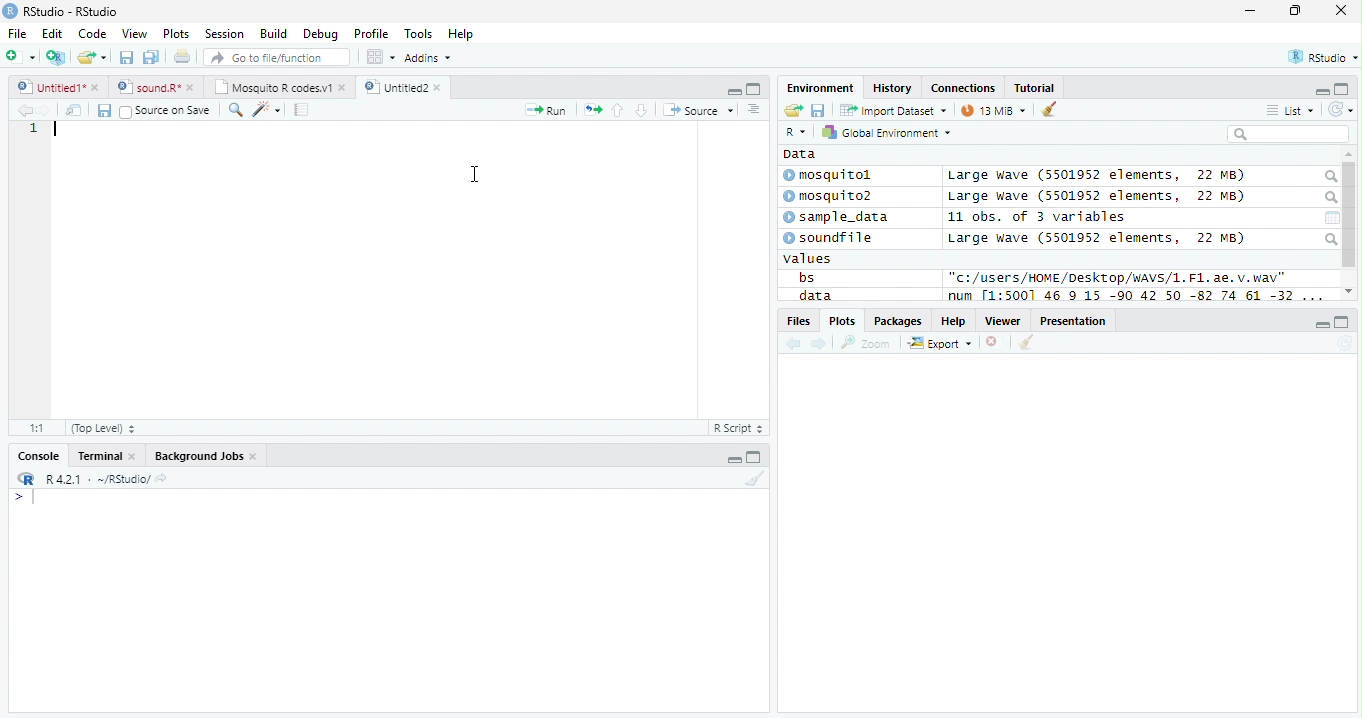  Describe the element at coordinates (832, 196) in the screenshot. I see `mosquito2` at that location.